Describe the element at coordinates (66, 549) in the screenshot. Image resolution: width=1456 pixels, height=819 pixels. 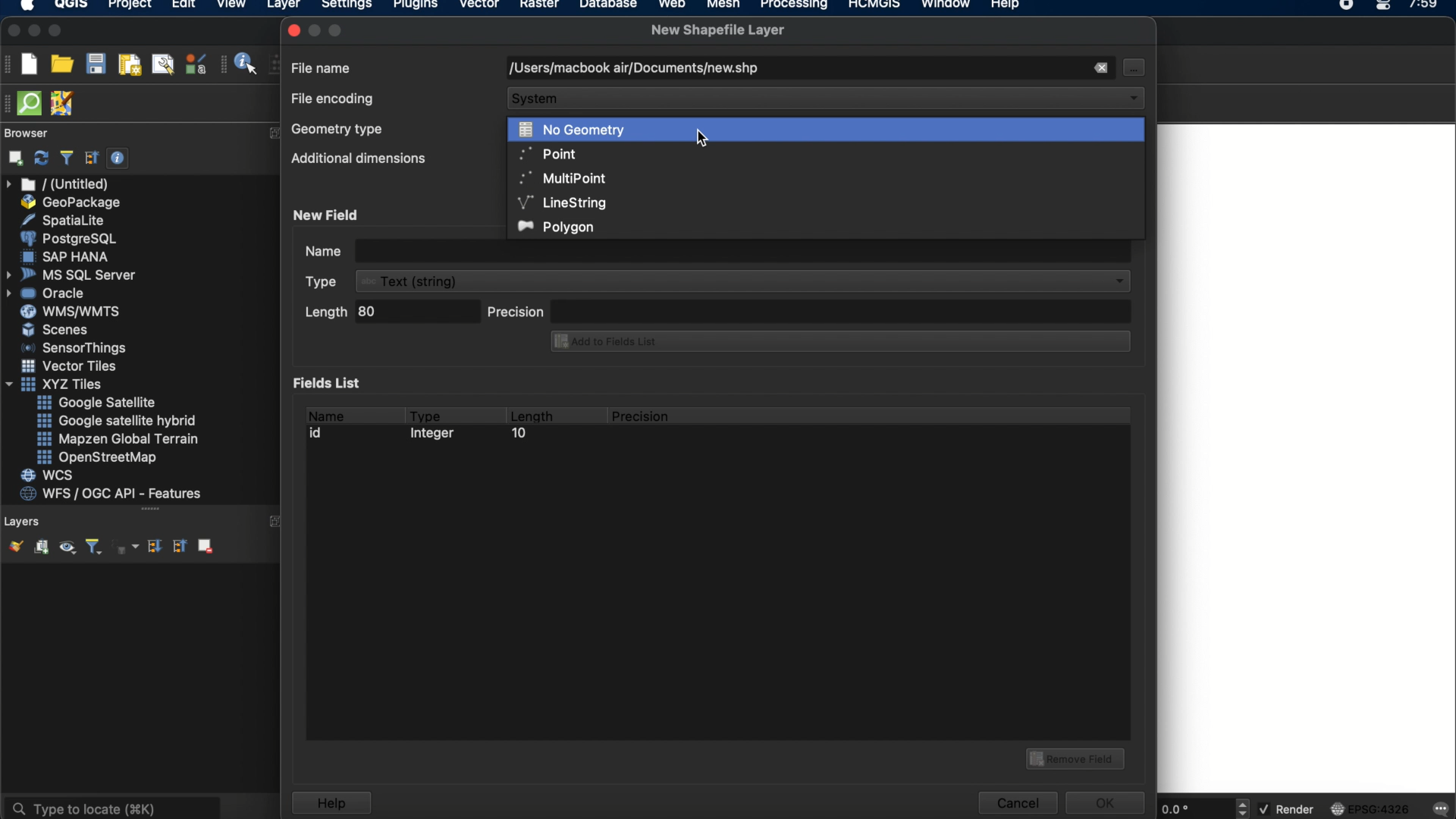
I see `manage map themes` at that location.